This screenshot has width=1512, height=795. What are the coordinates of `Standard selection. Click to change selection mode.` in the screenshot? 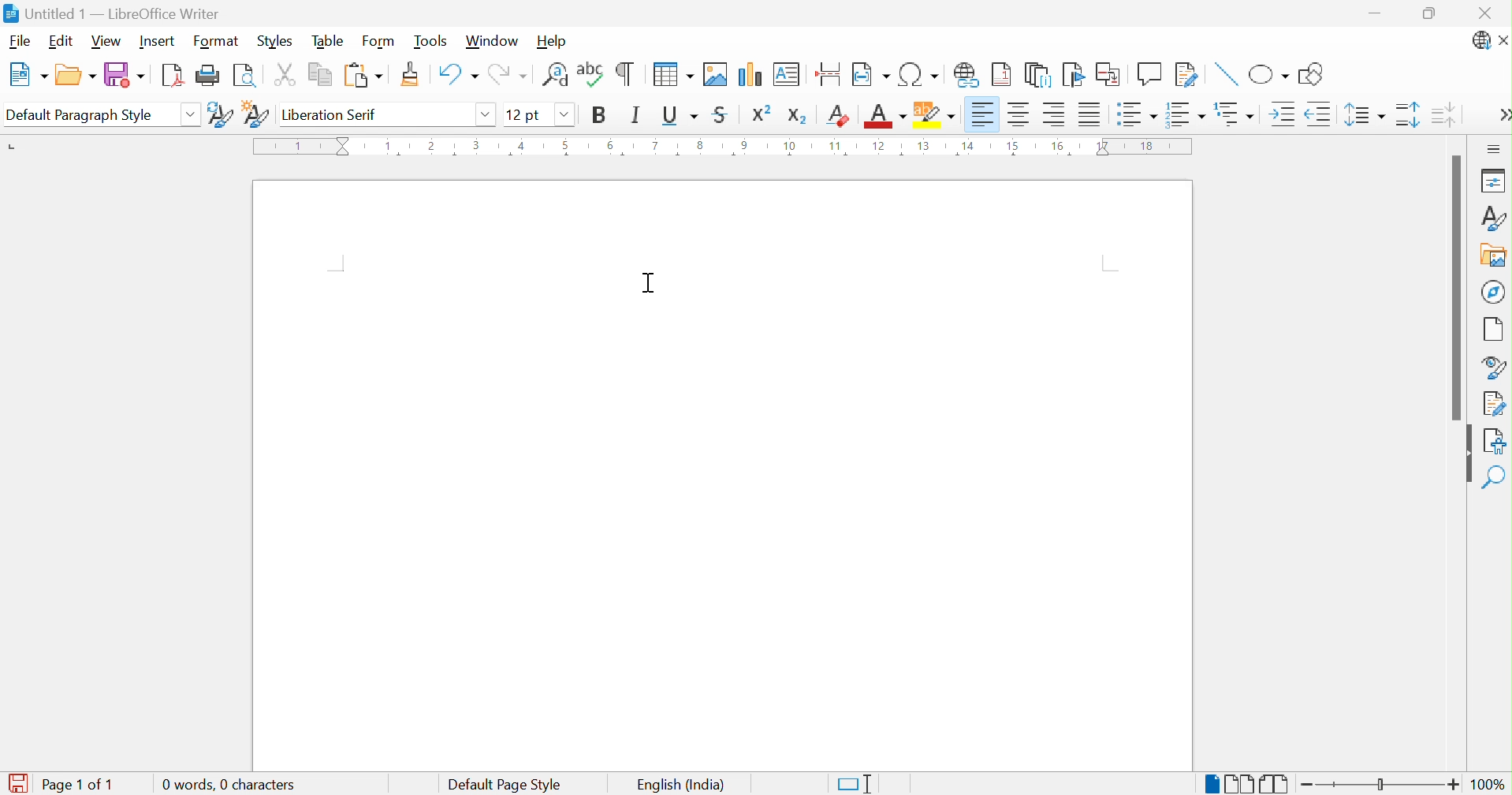 It's located at (858, 784).